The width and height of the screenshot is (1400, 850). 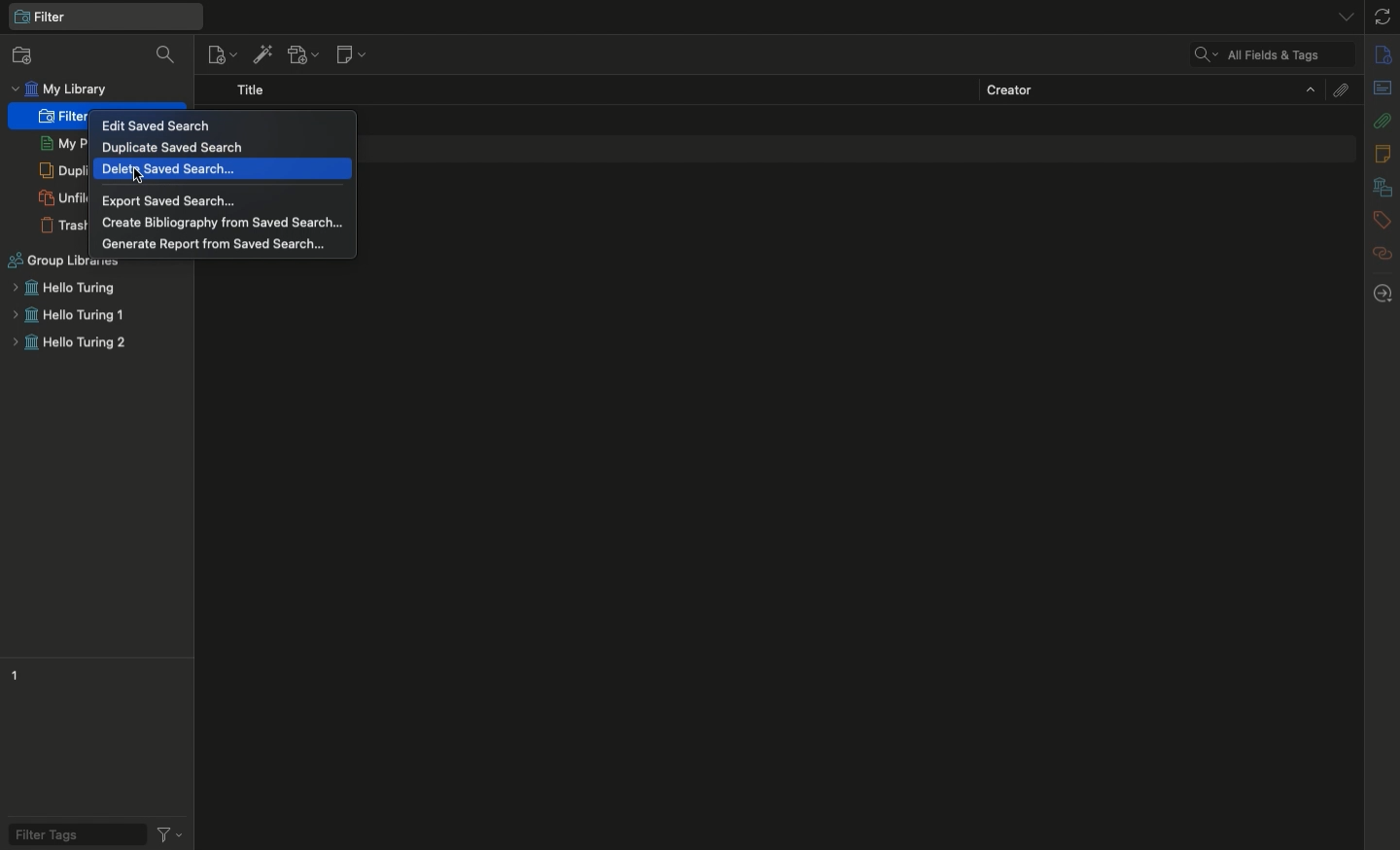 I want to click on Hello turing 1, so click(x=68, y=316).